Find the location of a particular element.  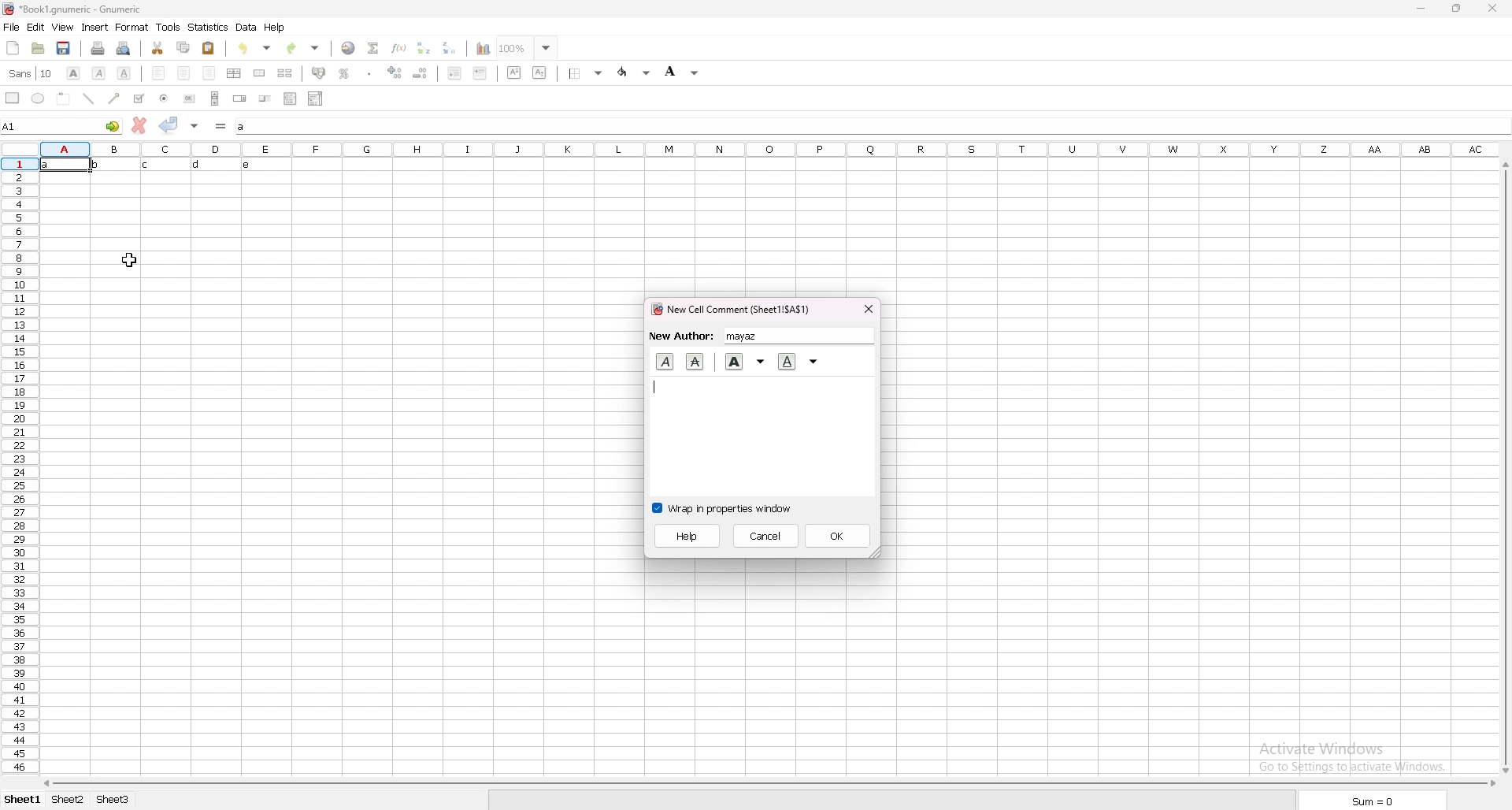

edit is located at coordinates (35, 27).